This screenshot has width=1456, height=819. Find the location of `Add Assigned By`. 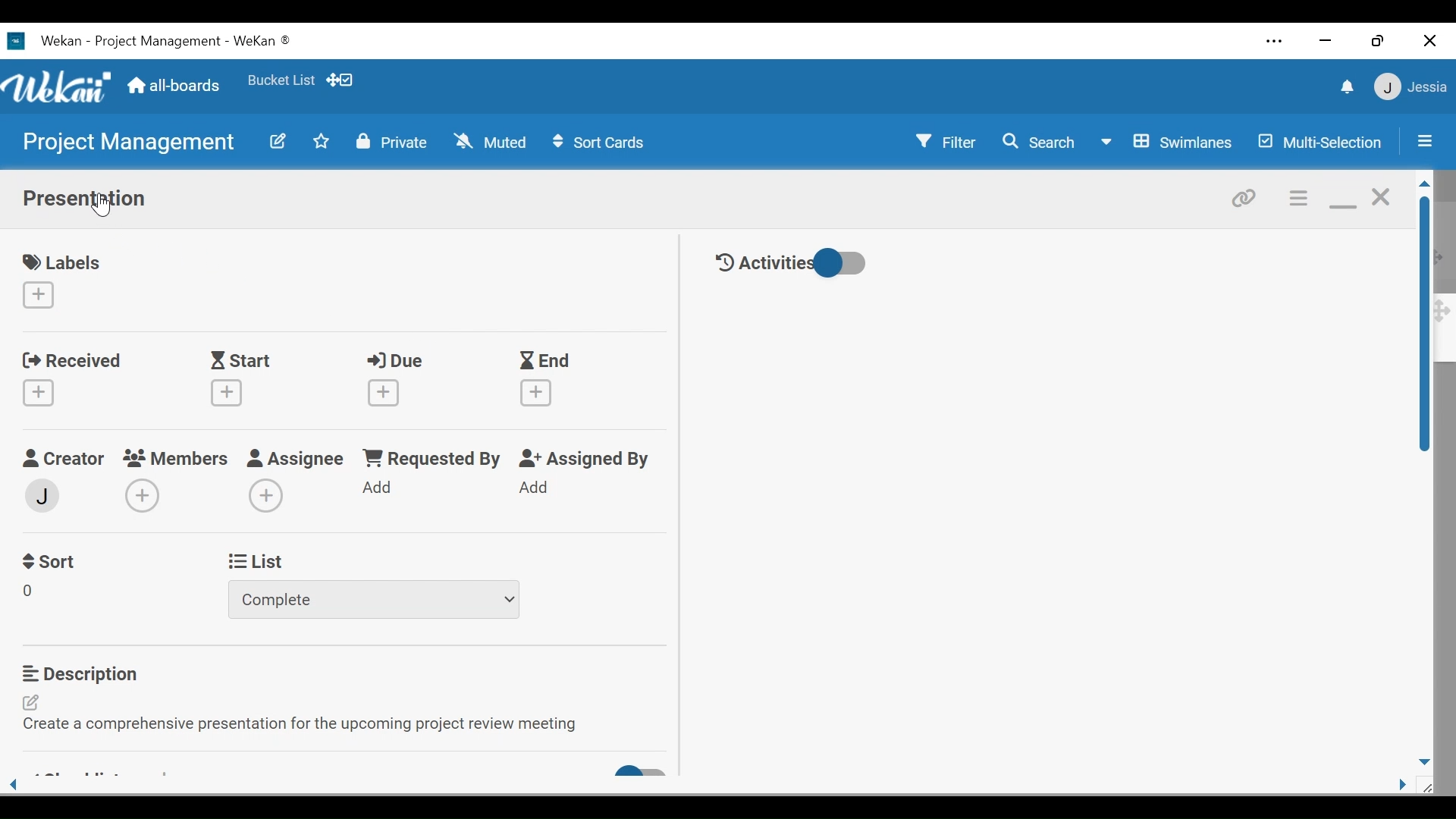

Add Assigned By is located at coordinates (535, 487).